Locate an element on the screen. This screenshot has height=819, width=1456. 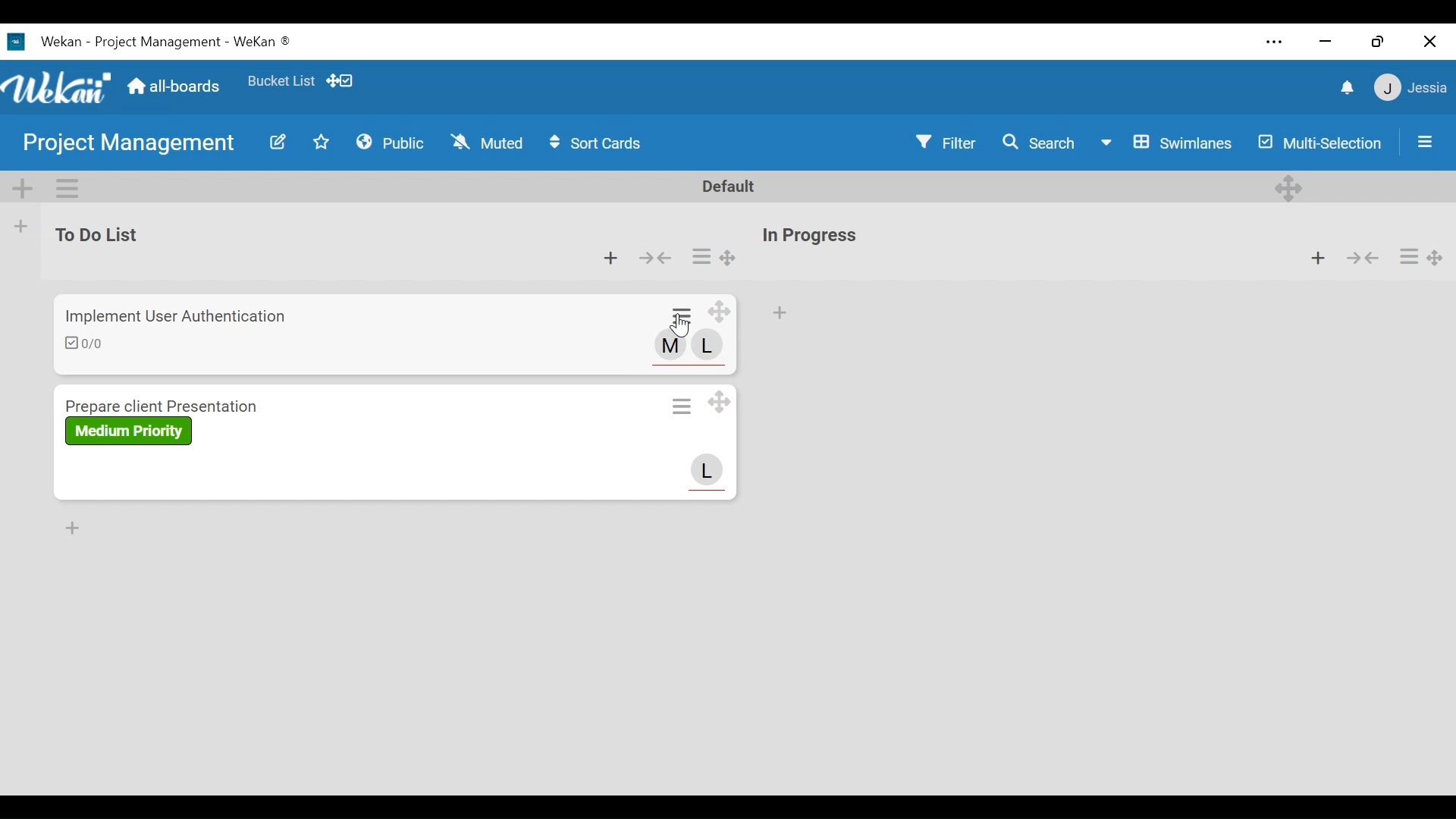
Open/Close Sidebar is located at coordinates (1423, 140).